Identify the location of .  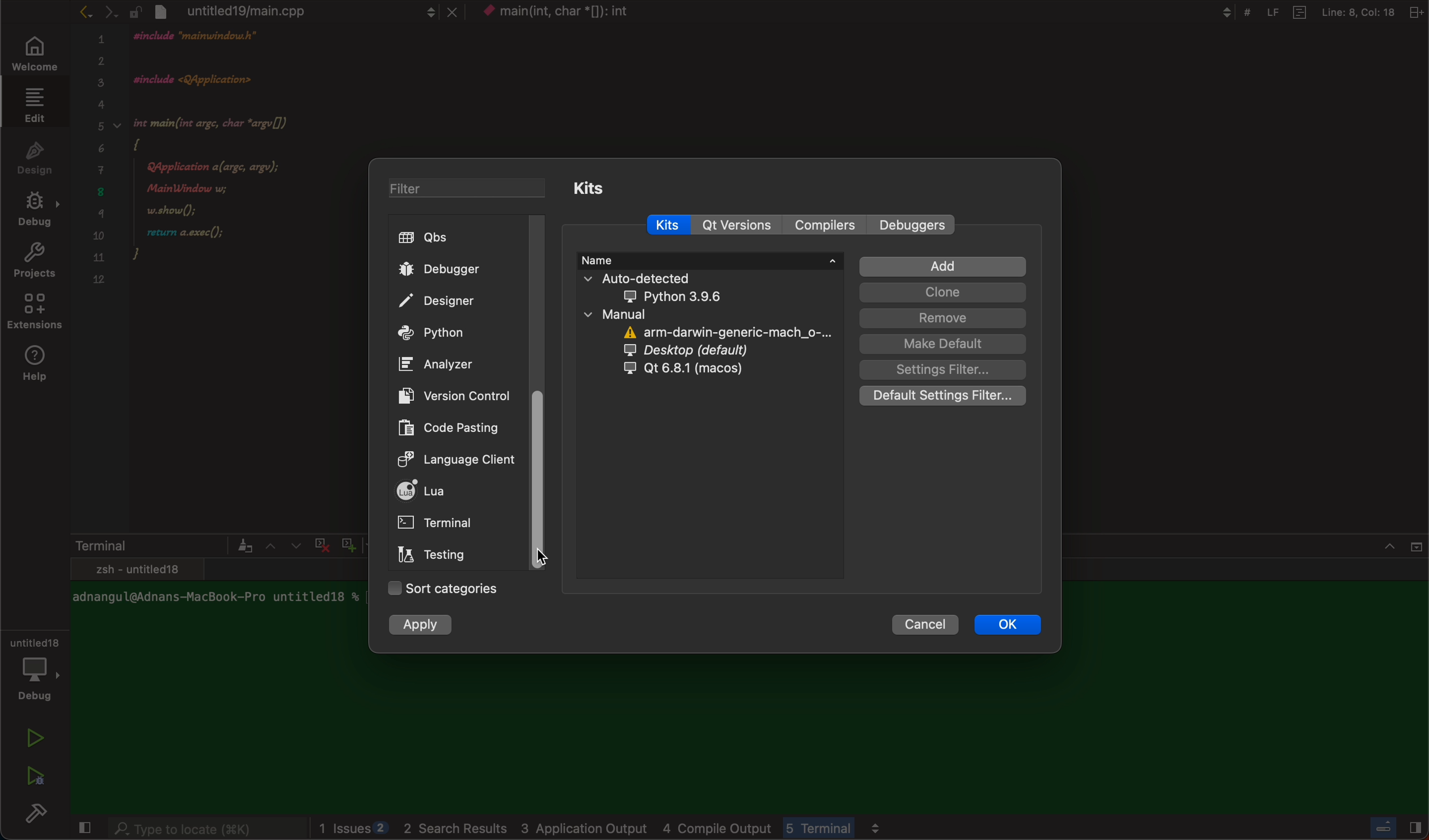
(1392, 830).